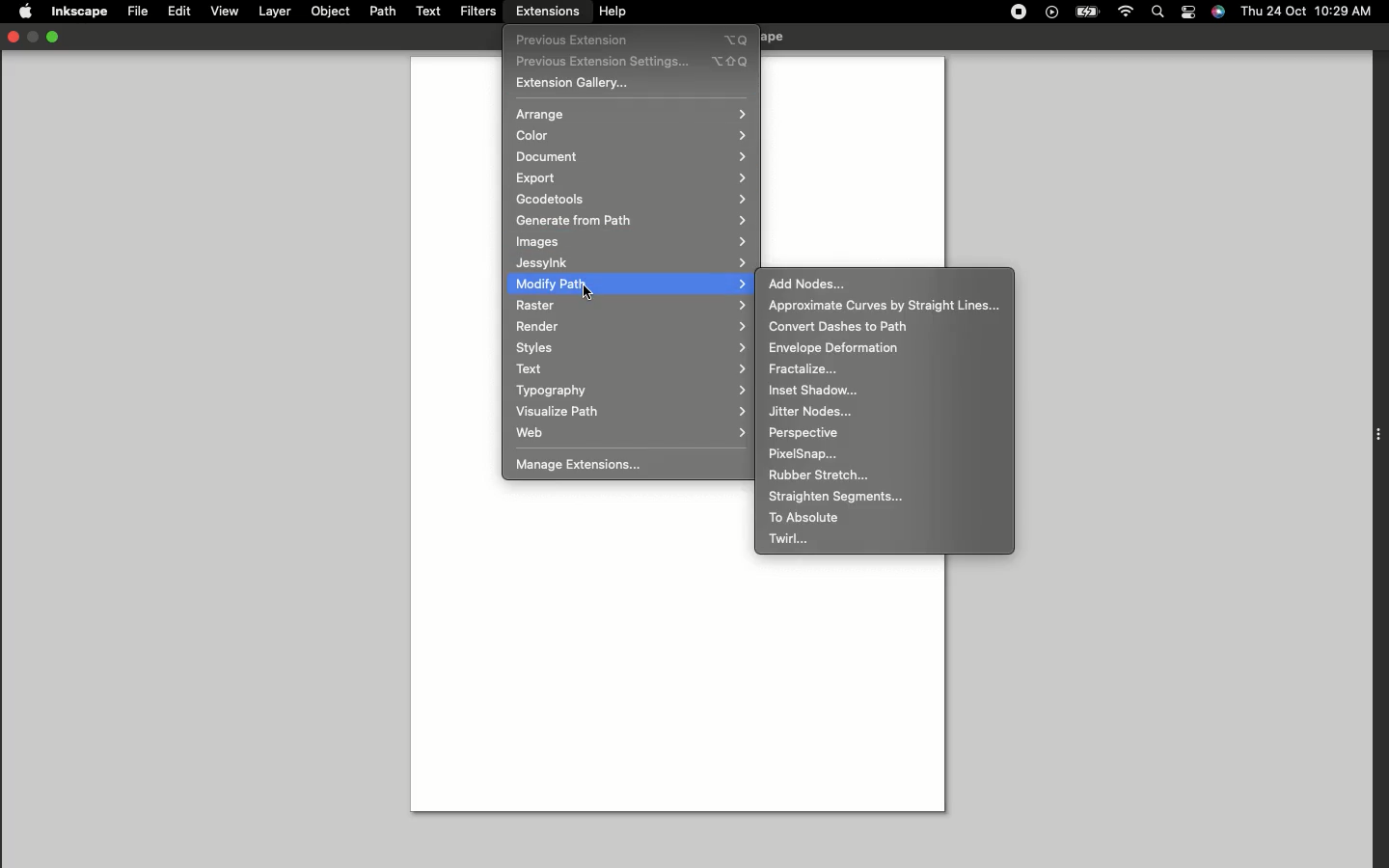 The height and width of the screenshot is (868, 1389). I want to click on Color, so click(633, 134).